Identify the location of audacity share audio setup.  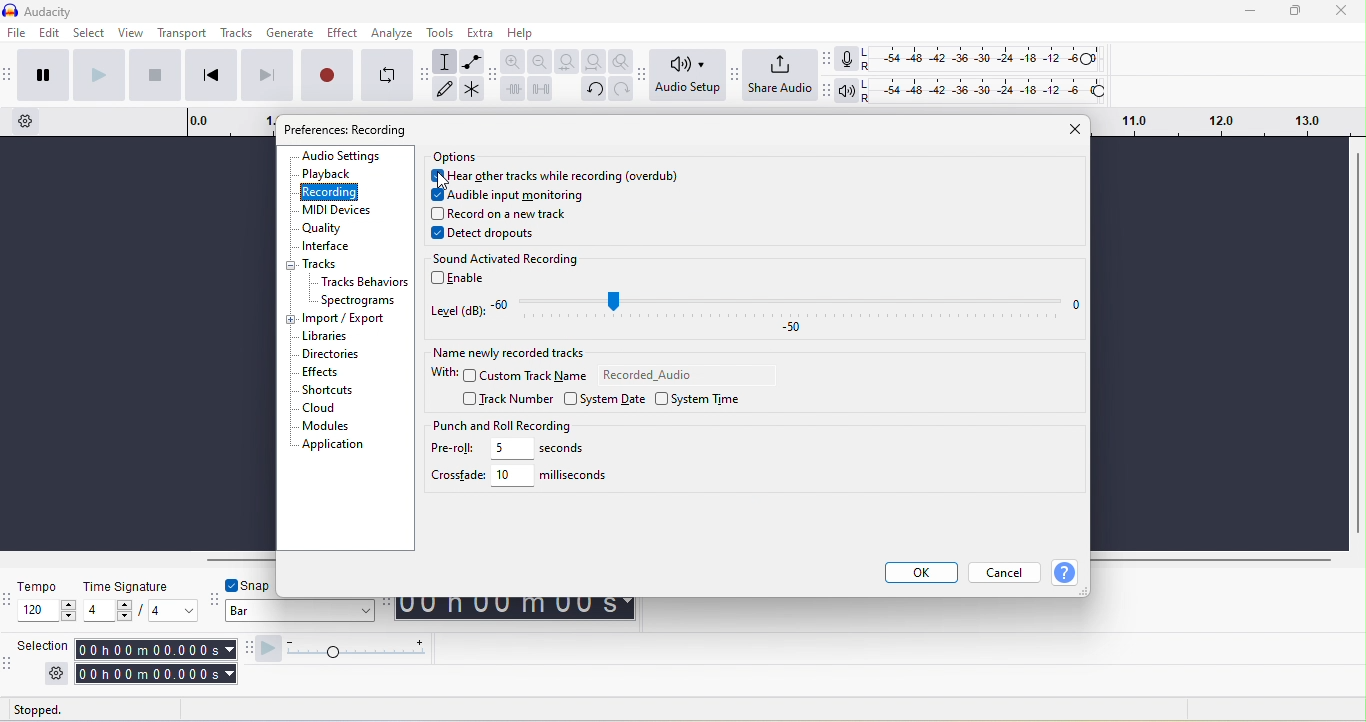
(736, 77).